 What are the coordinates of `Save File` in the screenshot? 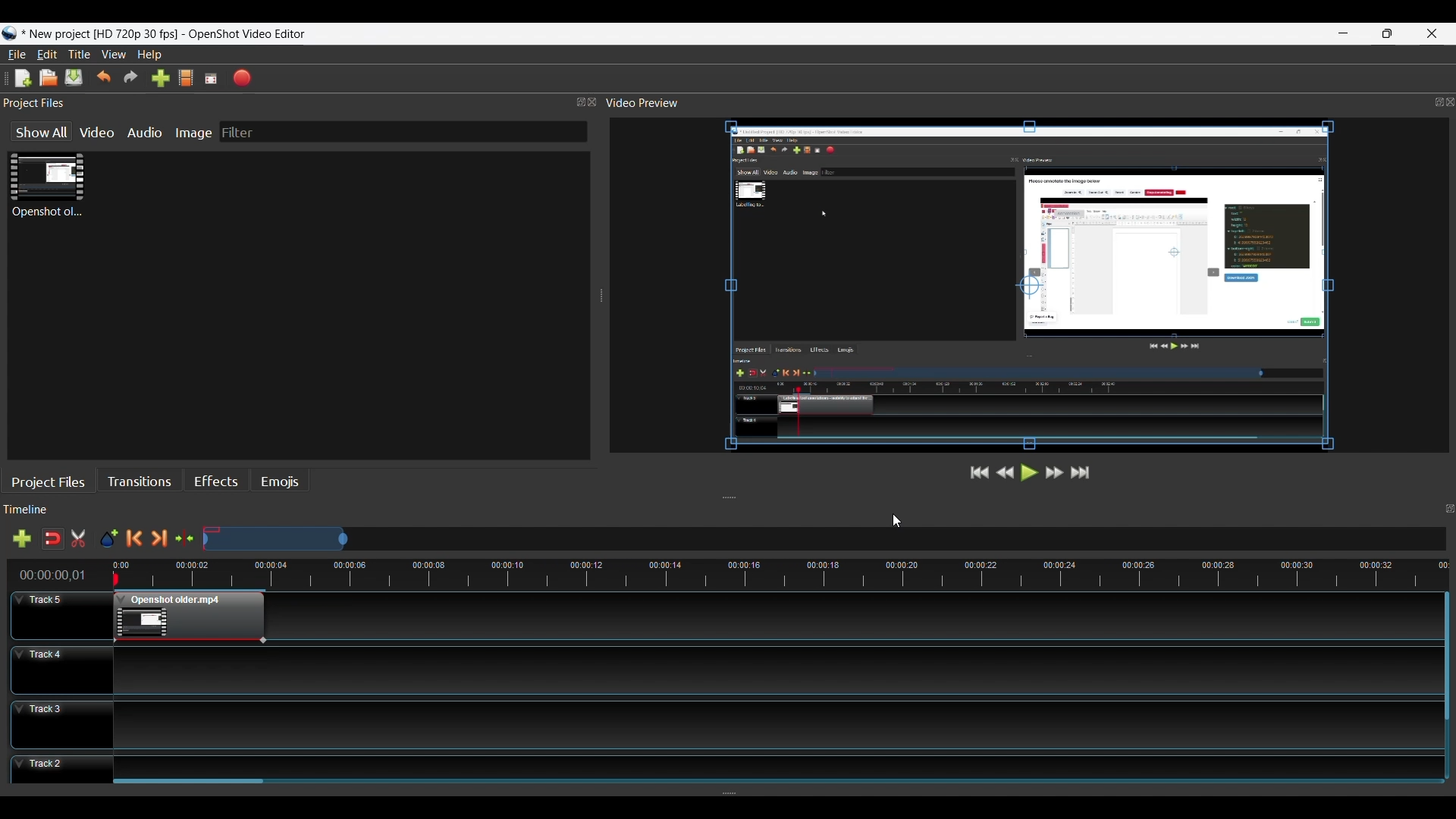 It's located at (74, 78).